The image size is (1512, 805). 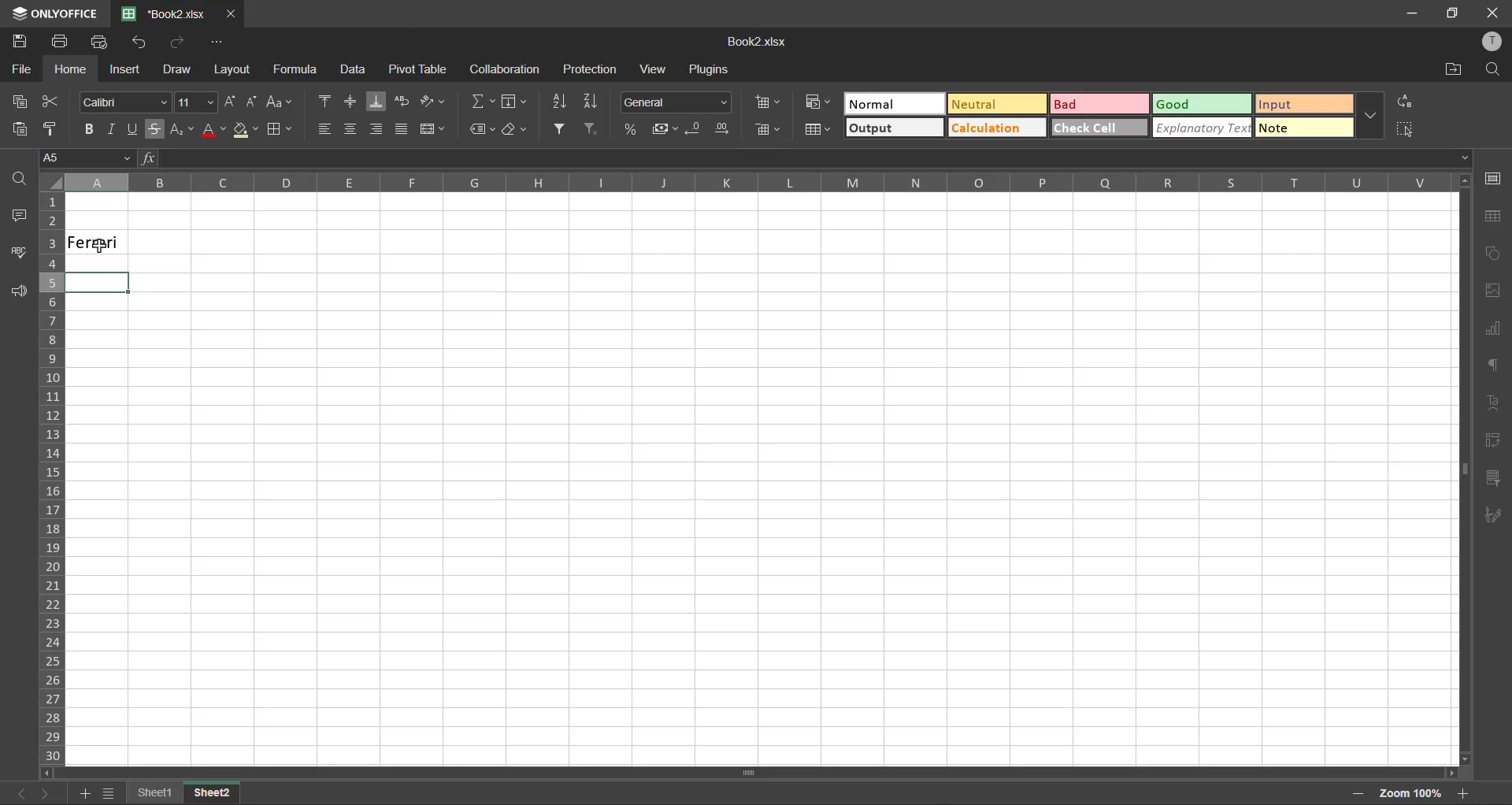 What do you see at coordinates (728, 131) in the screenshot?
I see `increase decimal` at bounding box center [728, 131].